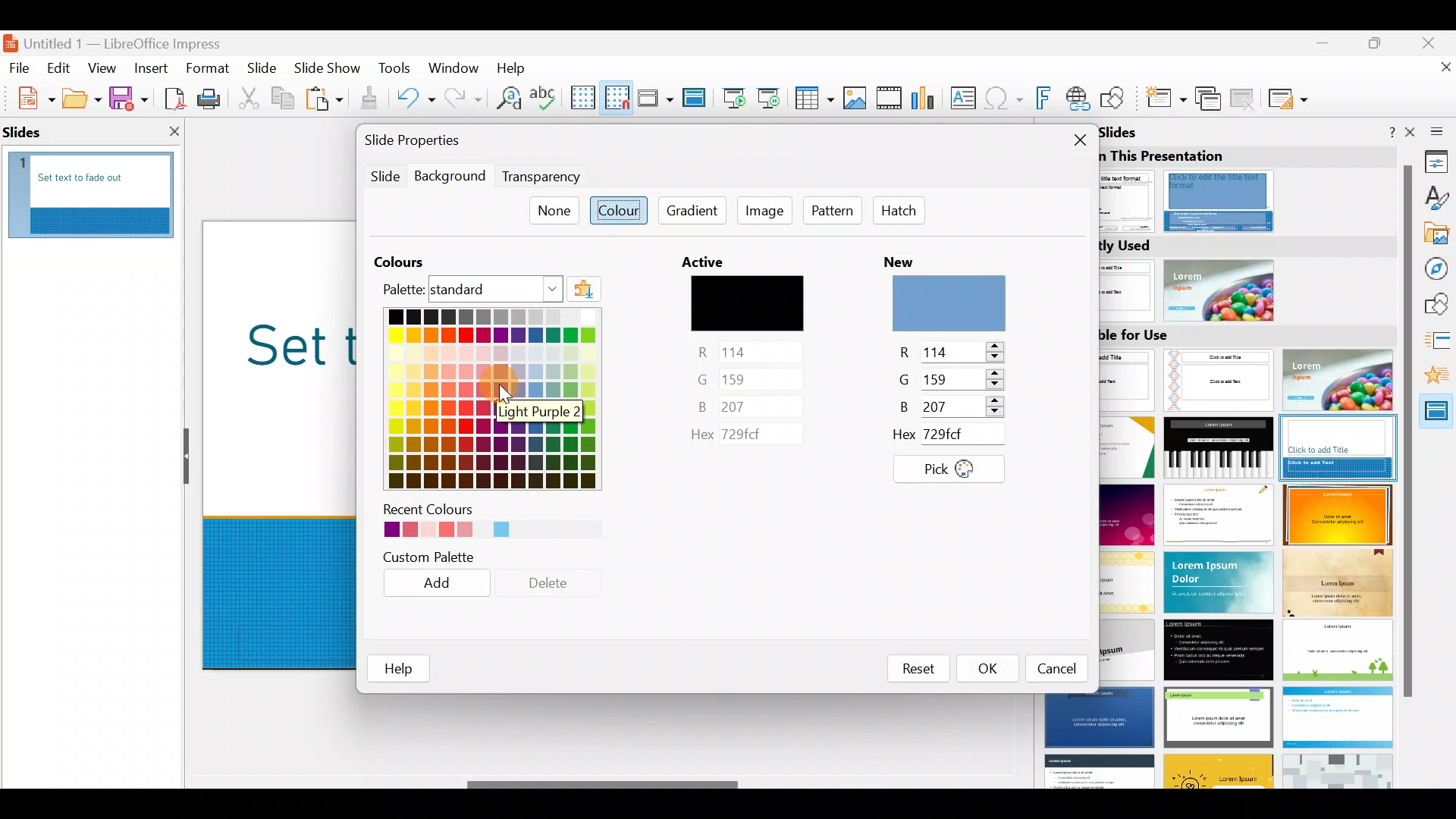  What do you see at coordinates (952, 379) in the screenshot?
I see `green` at bounding box center [952, 379].